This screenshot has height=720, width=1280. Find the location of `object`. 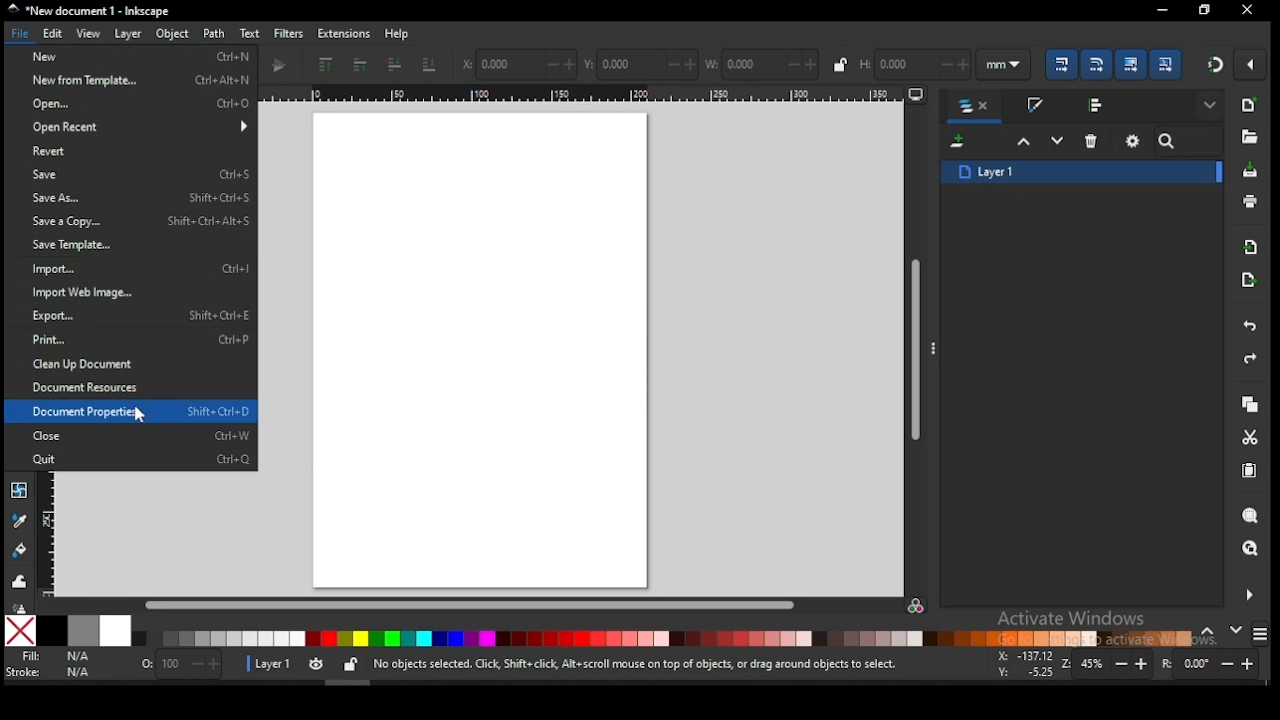

object is located at coordinates (173, 35).